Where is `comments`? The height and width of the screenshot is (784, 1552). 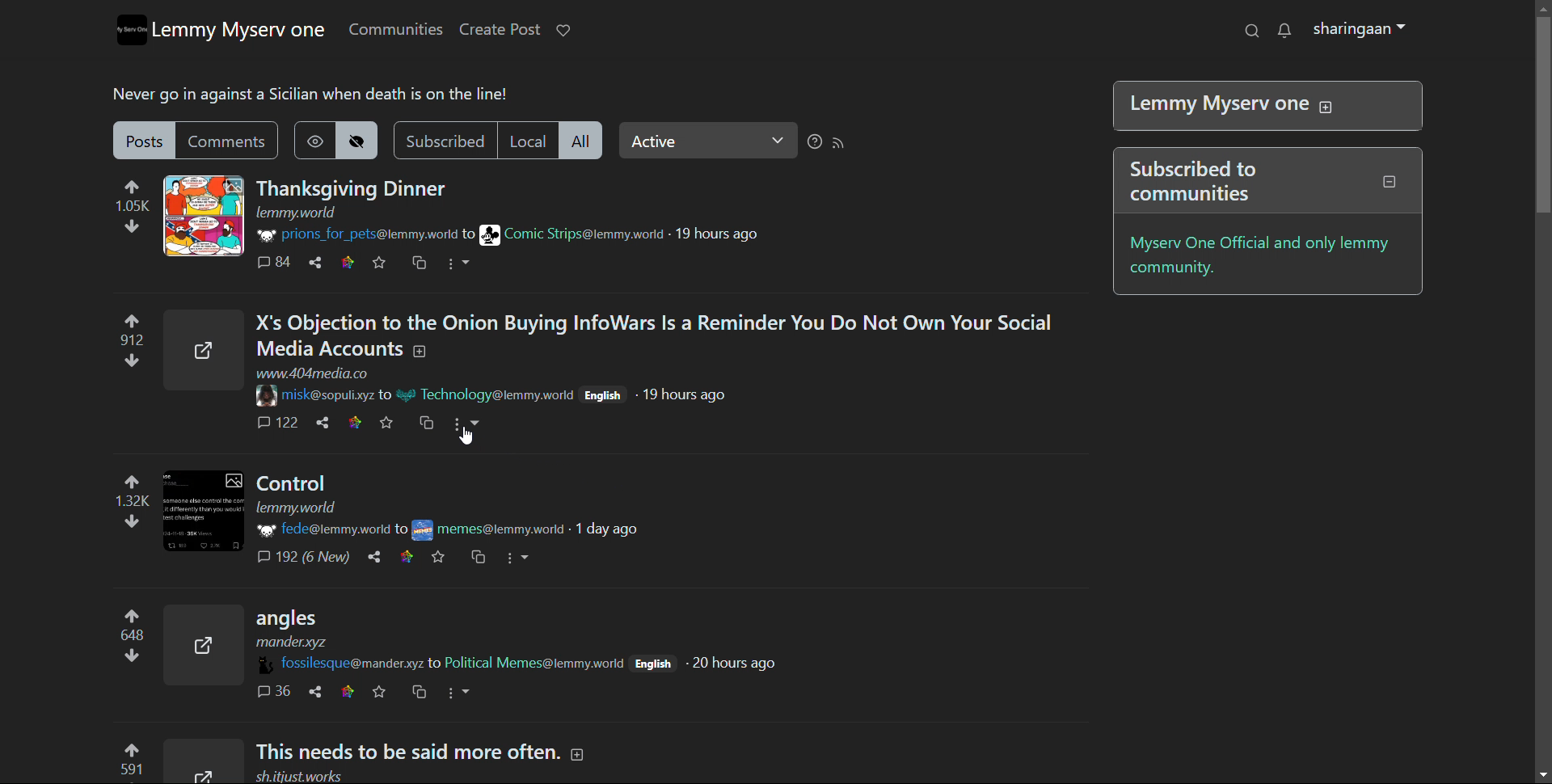 comments is located at coordinates (272, 692).